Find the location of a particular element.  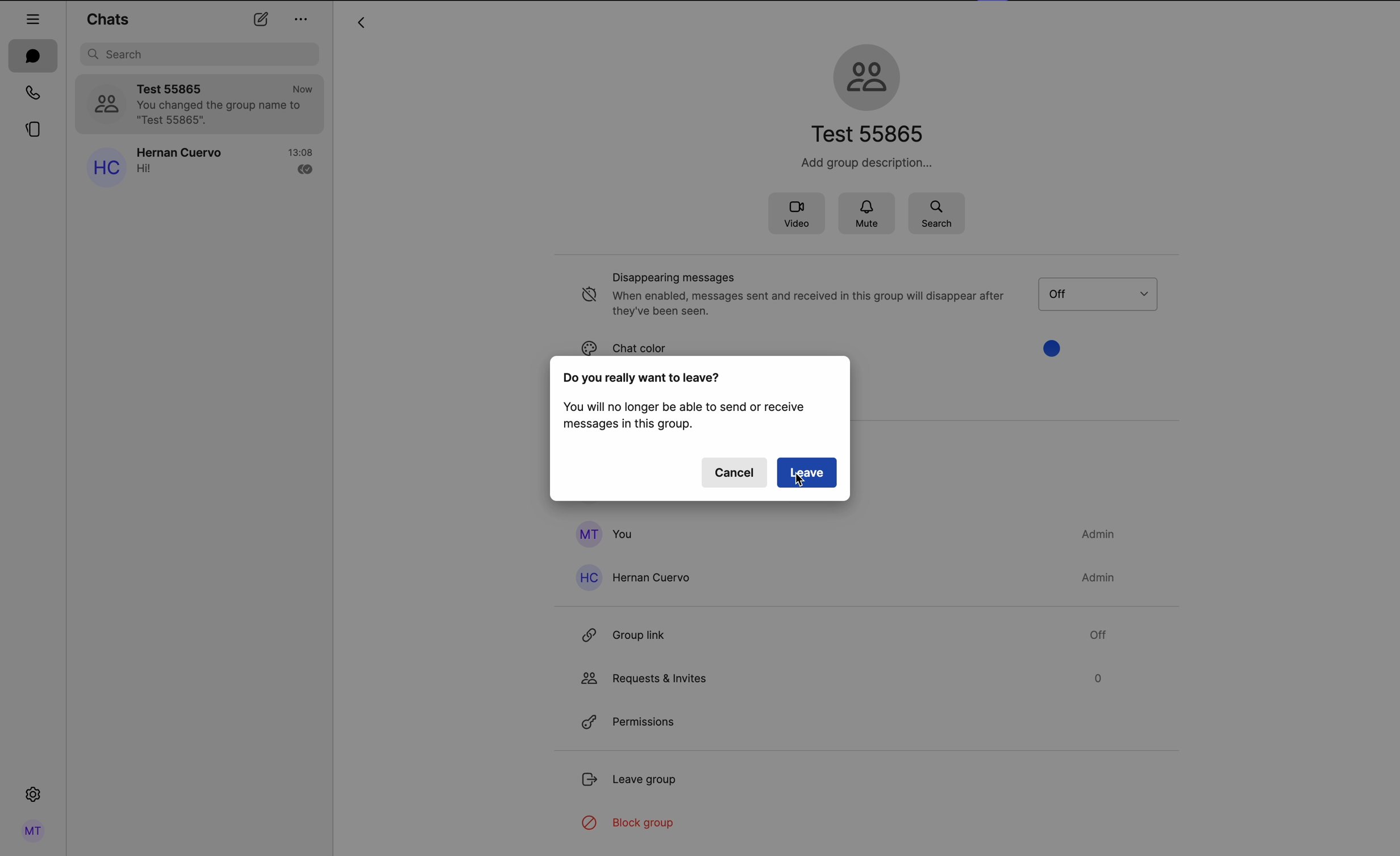

Test group is located at coordinates (227, 104).